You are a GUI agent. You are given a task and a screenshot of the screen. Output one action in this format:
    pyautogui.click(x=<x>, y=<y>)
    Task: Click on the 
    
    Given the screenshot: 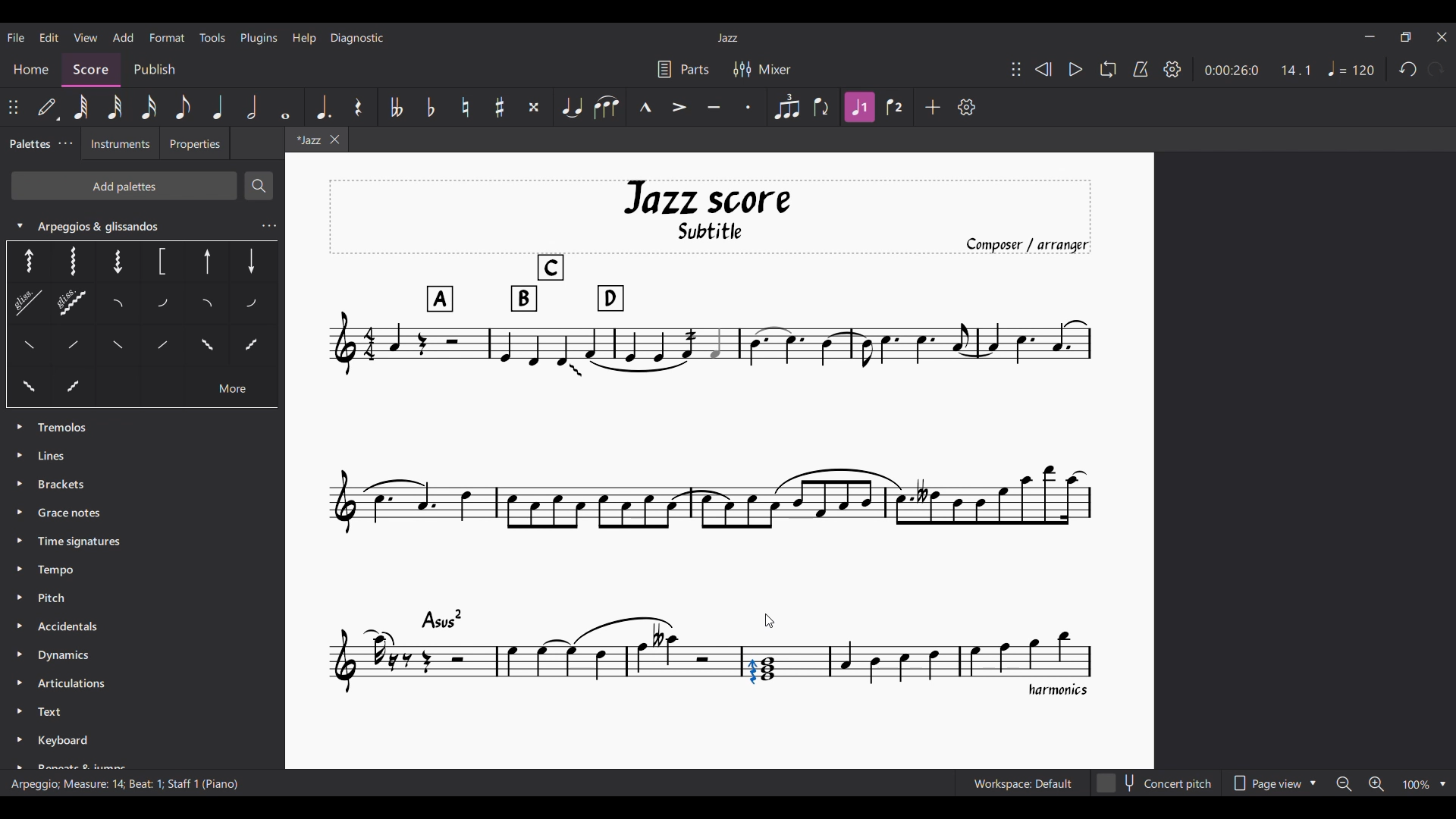 What is the action you would take?
    pyautogui.click(x=208, y=344)
    